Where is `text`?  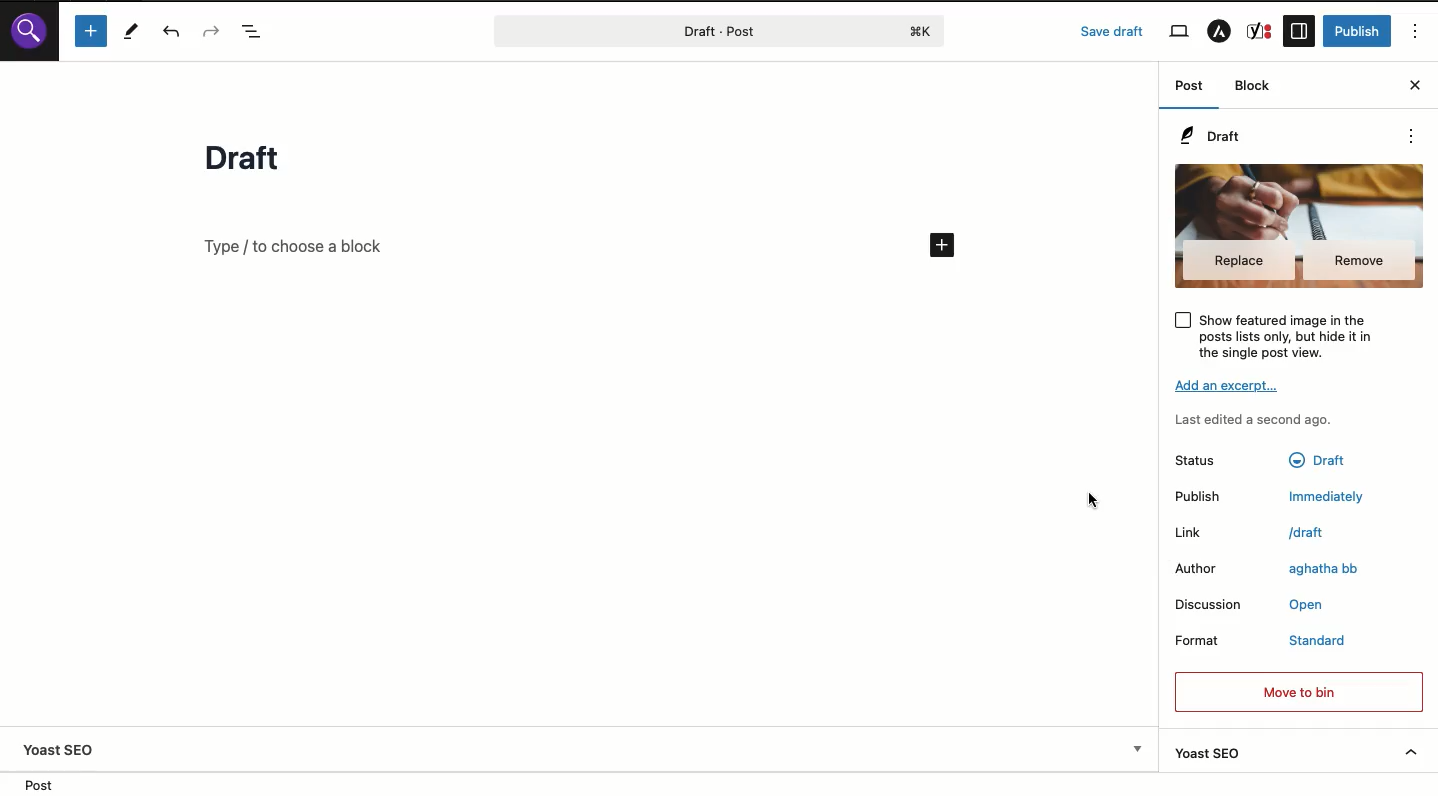
text is located at coordinates (1309, 604).